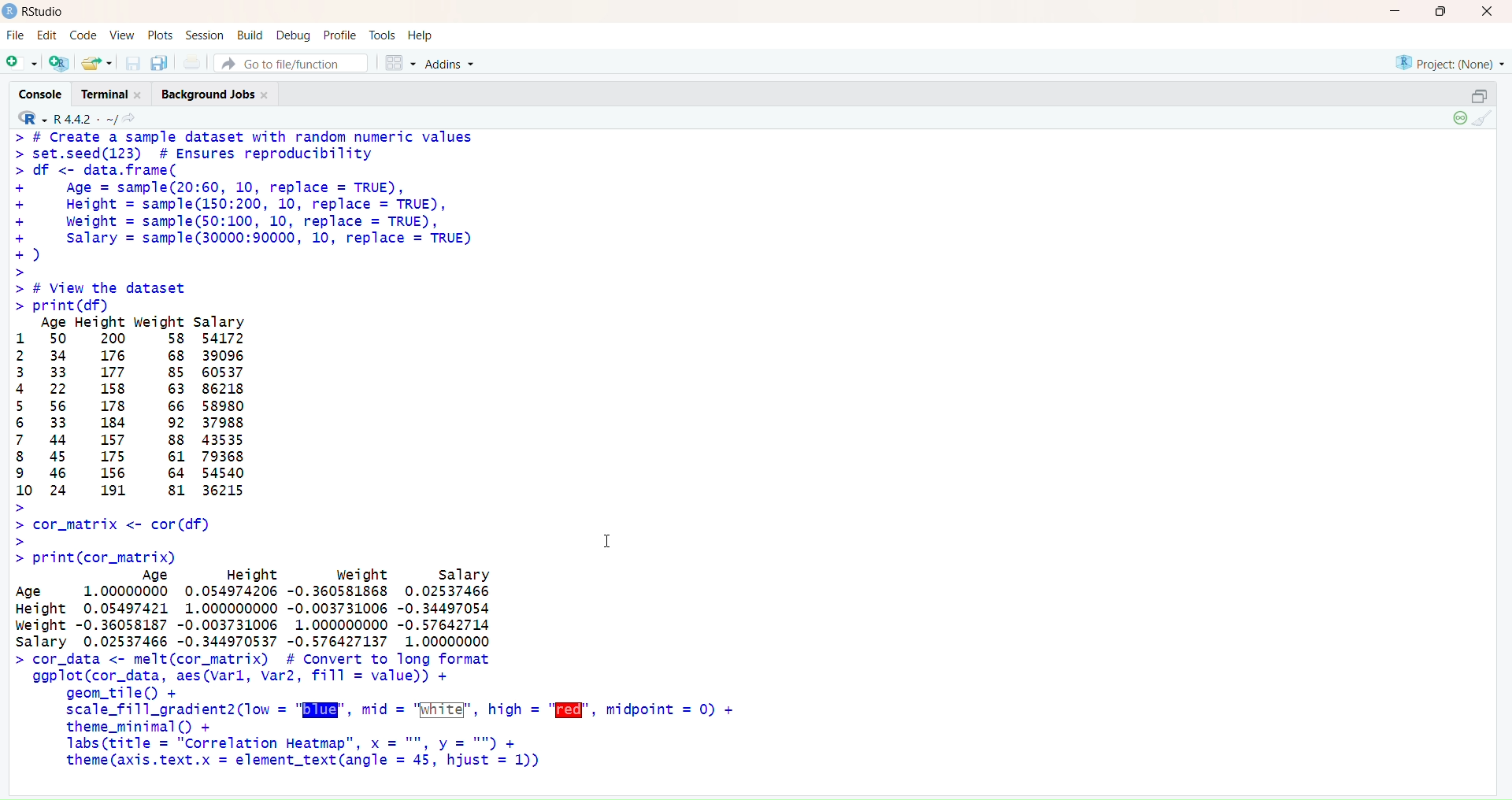 This screenshot has width=1512, height=800. Describe the element at coordinates (36, 12) in the screenshot. I see `RStudio` at that location.